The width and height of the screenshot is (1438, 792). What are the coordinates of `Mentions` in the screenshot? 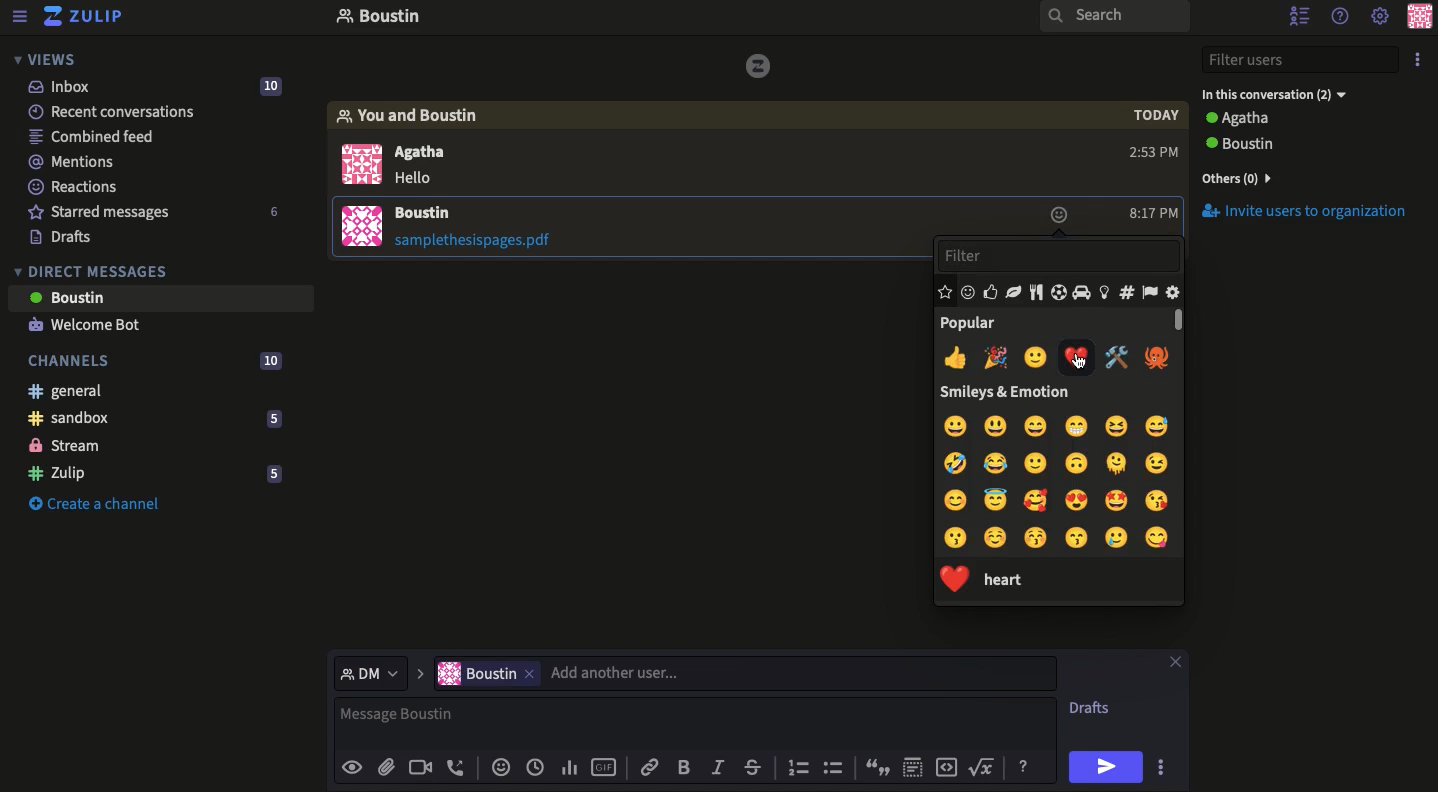 It's located at (72, 161).